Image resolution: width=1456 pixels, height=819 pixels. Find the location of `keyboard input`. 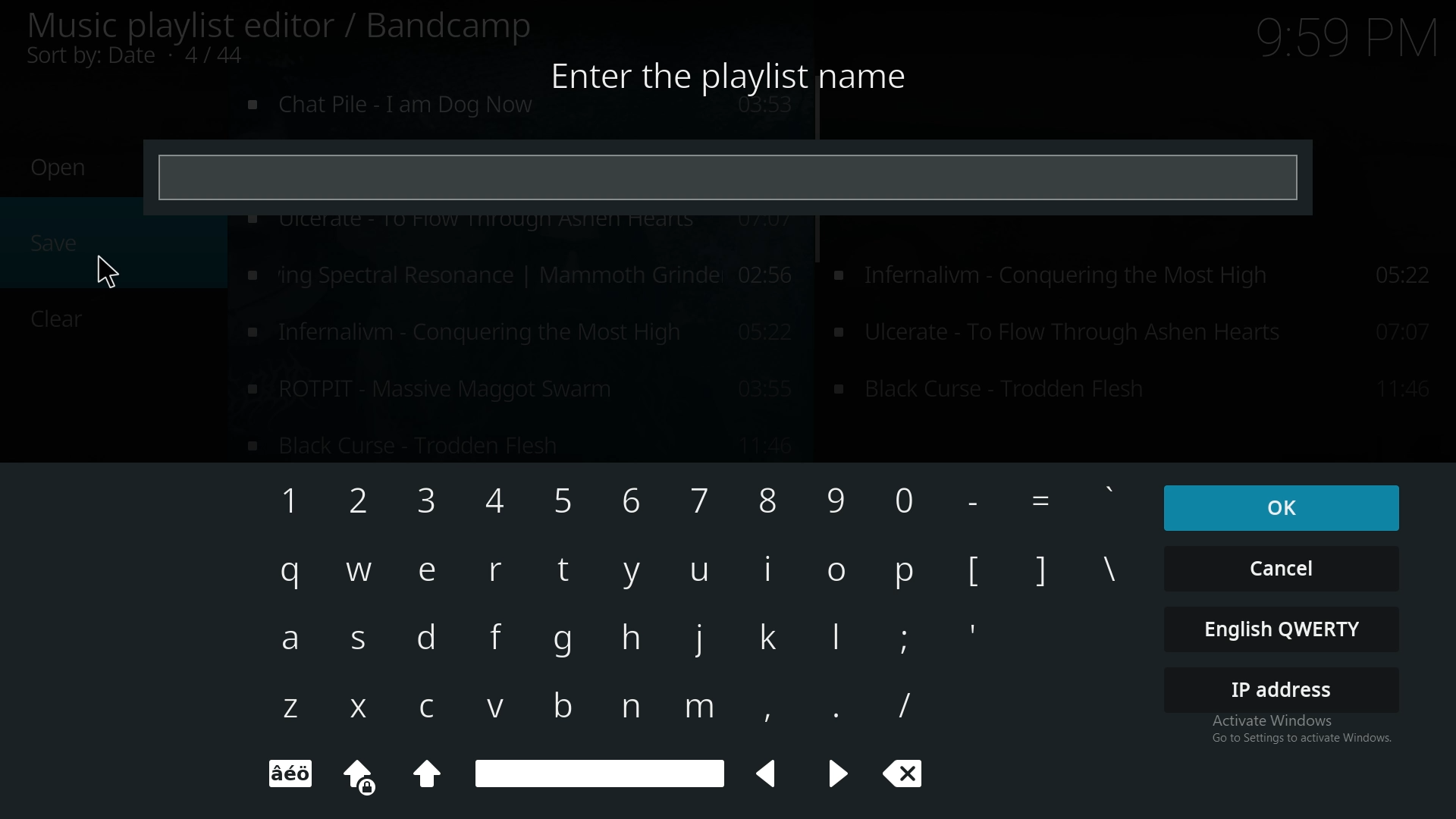

keyboard input is located at coordinates (435, 573).